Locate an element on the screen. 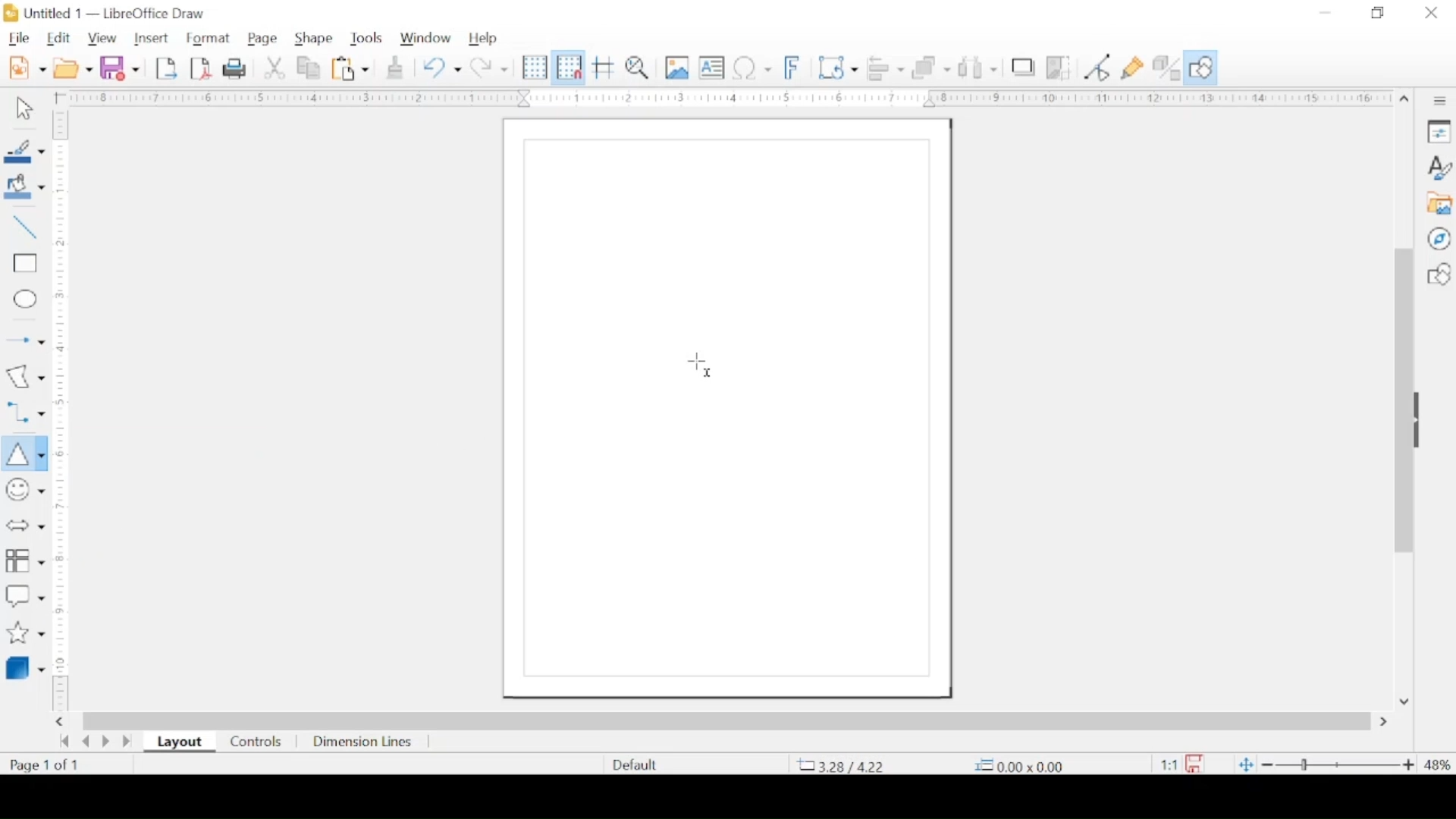  insert curves and polygons is located at coordinates (25, 376).